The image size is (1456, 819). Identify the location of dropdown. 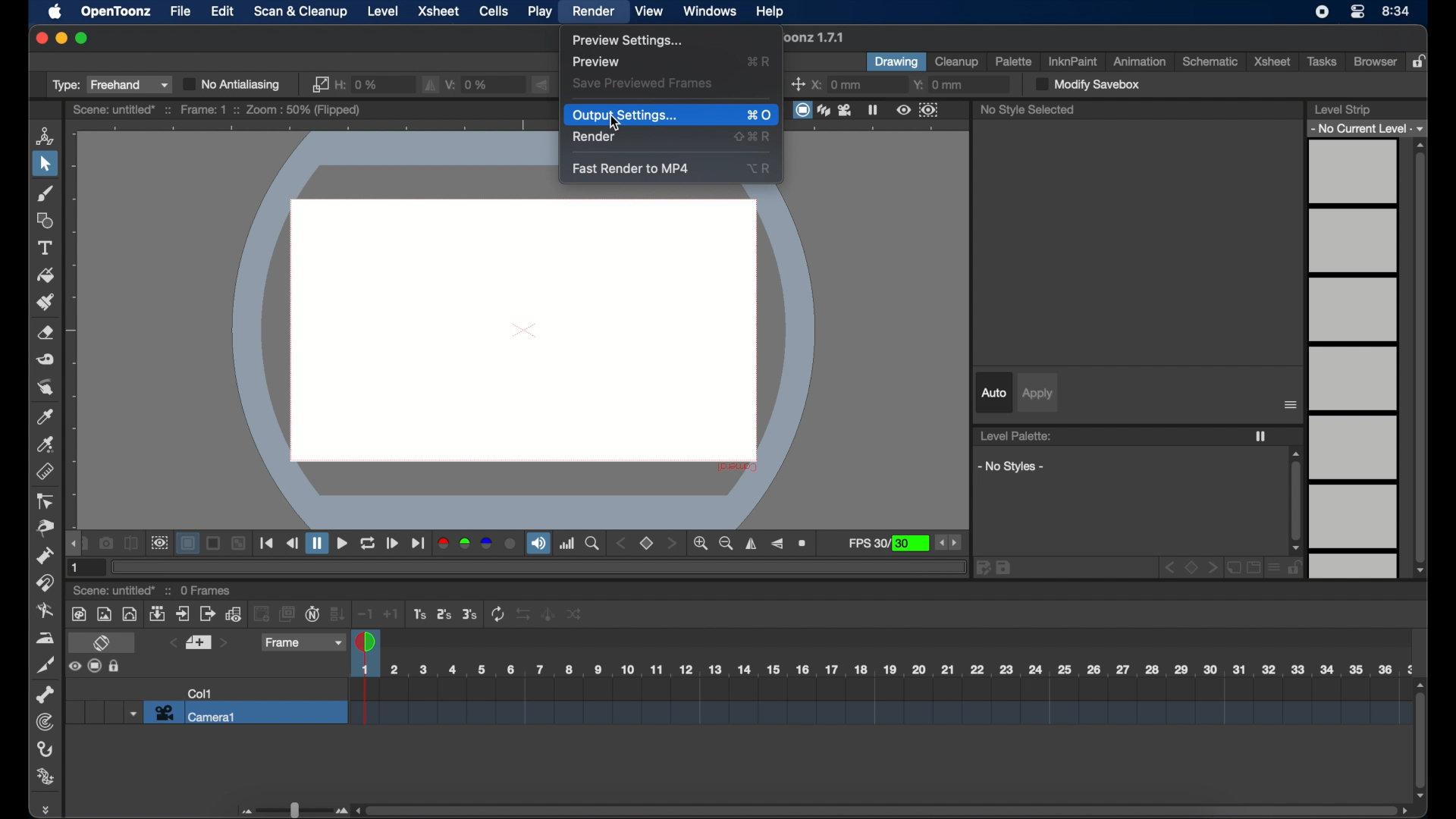
(131, 713).